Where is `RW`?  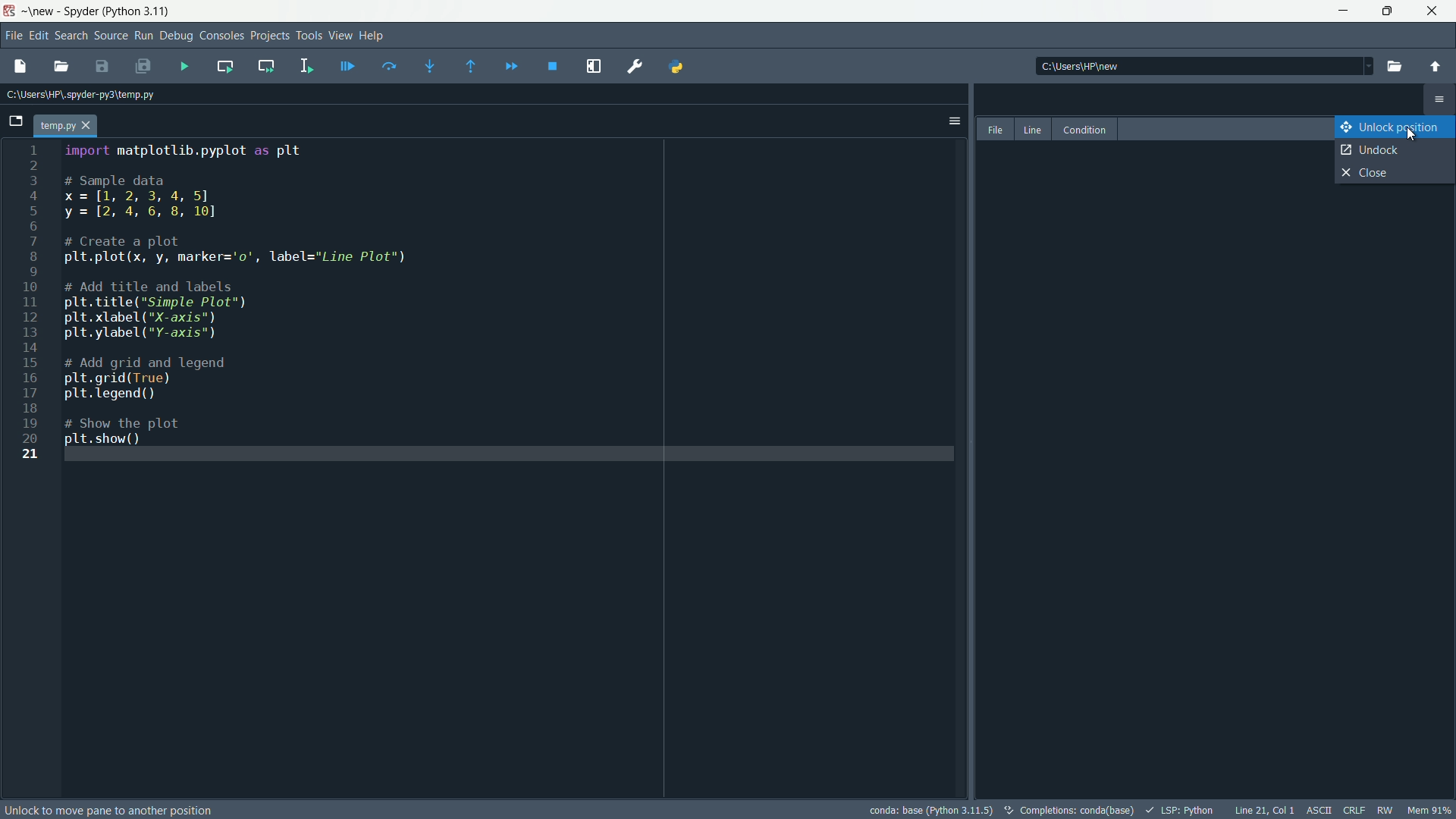 RW is located at coordinates (1388, 810).